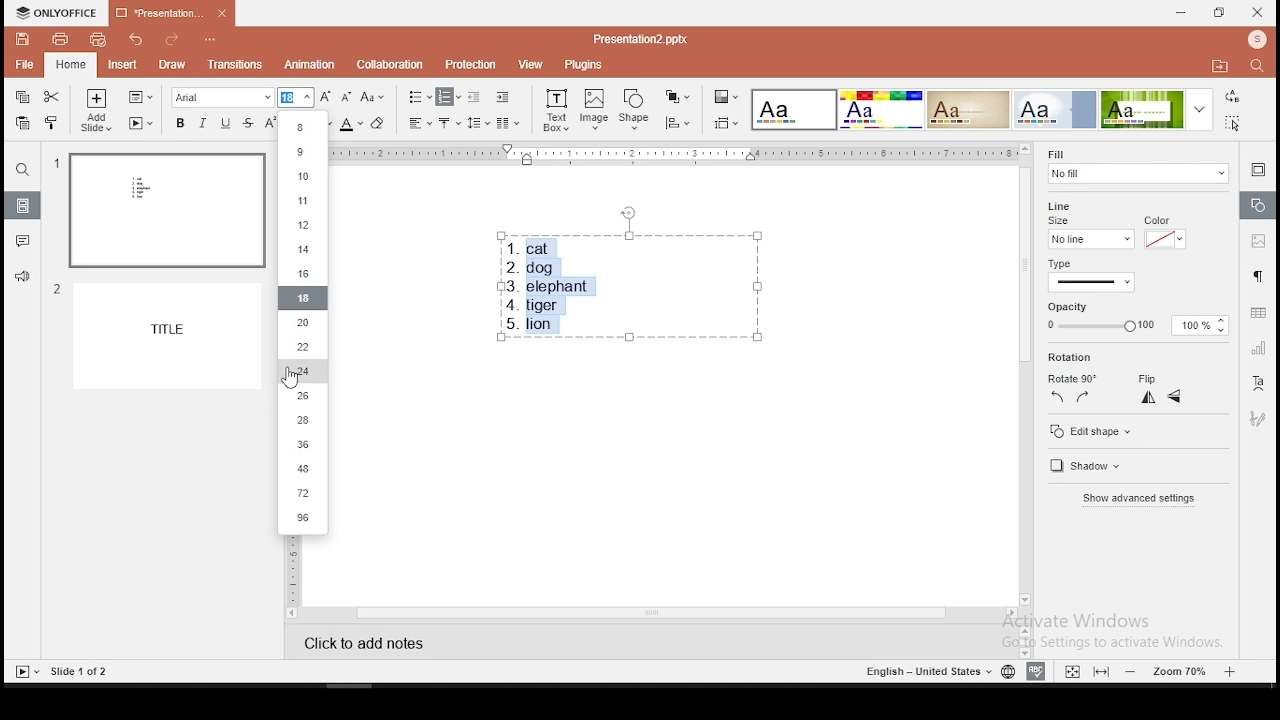 This screenshot has height=720, width=1280. I want to click on slide 1 of 2, so click(76, 673).